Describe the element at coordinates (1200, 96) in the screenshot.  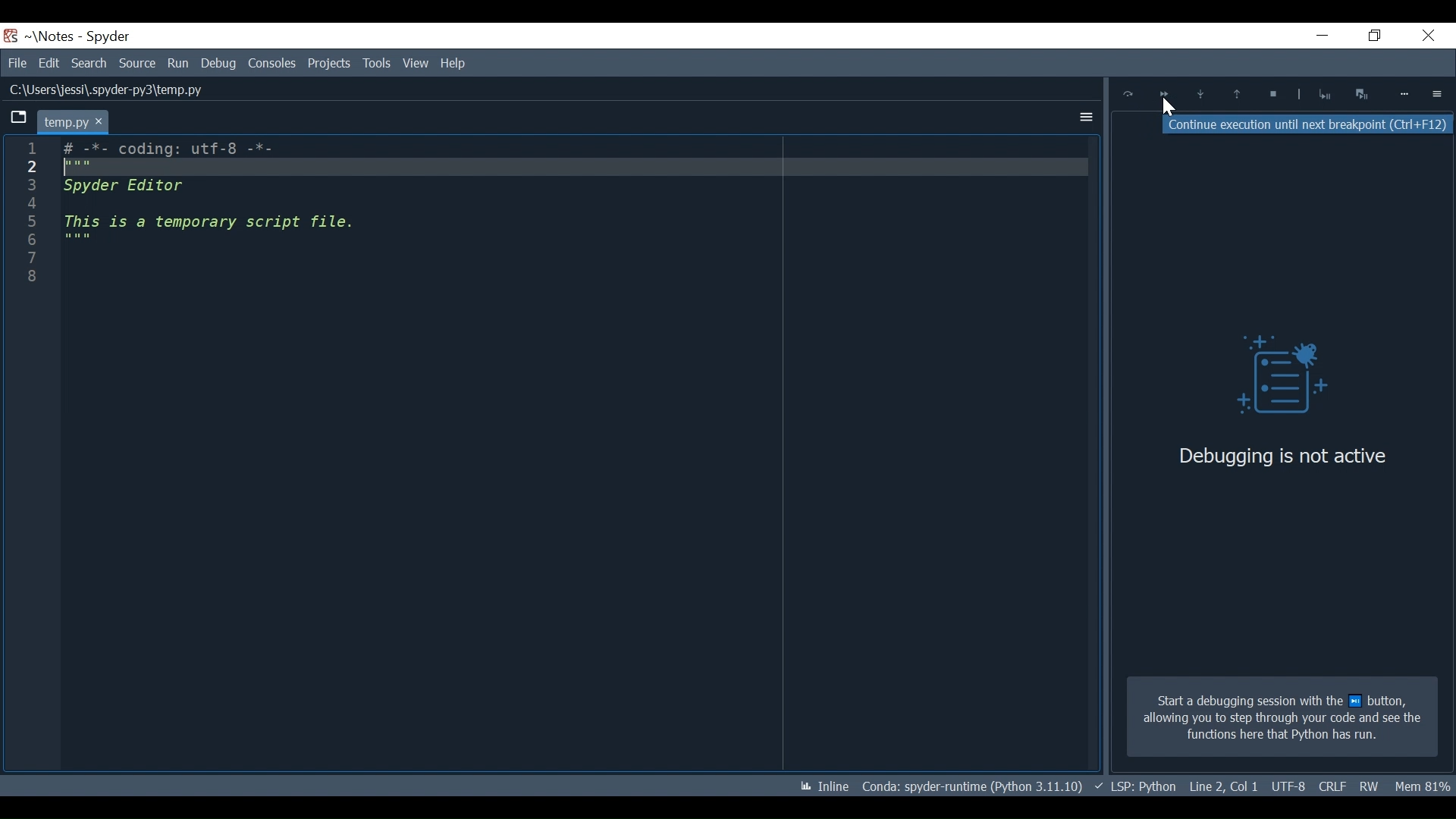
I see `Step into function or method` at that location.